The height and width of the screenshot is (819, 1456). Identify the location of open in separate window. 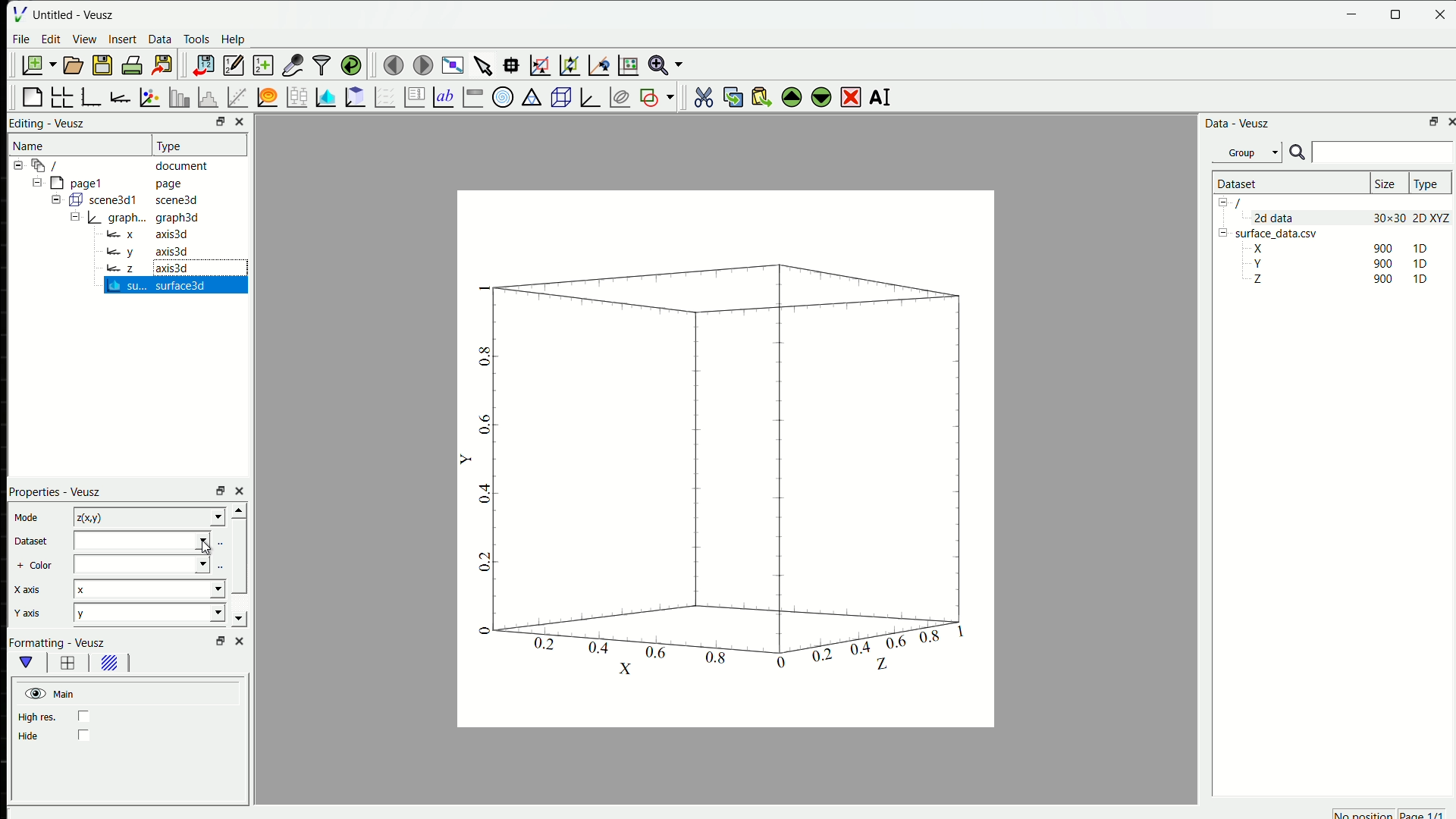
(1433, 121).